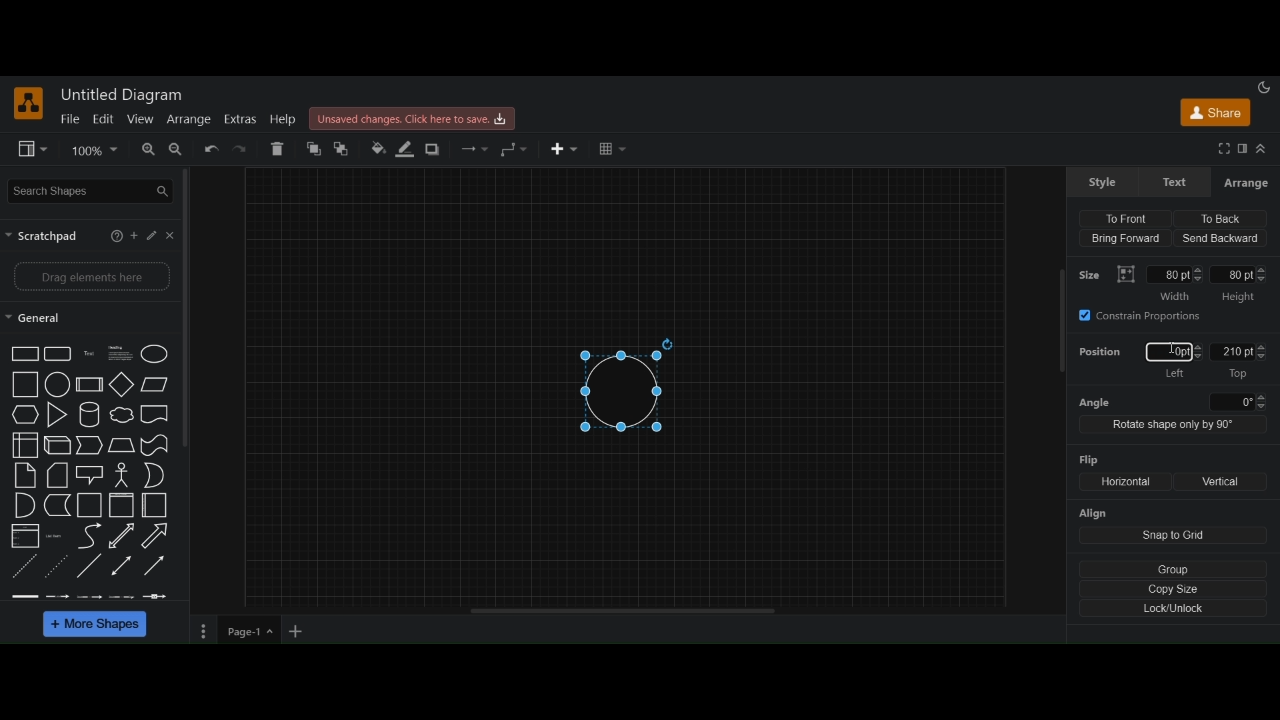 The height and width of the screenshot is (720, 1280). What do you see at coordinates (123, 565) in the screenshot?
I see `2 sided arrow` at bounding box center [123, 565].